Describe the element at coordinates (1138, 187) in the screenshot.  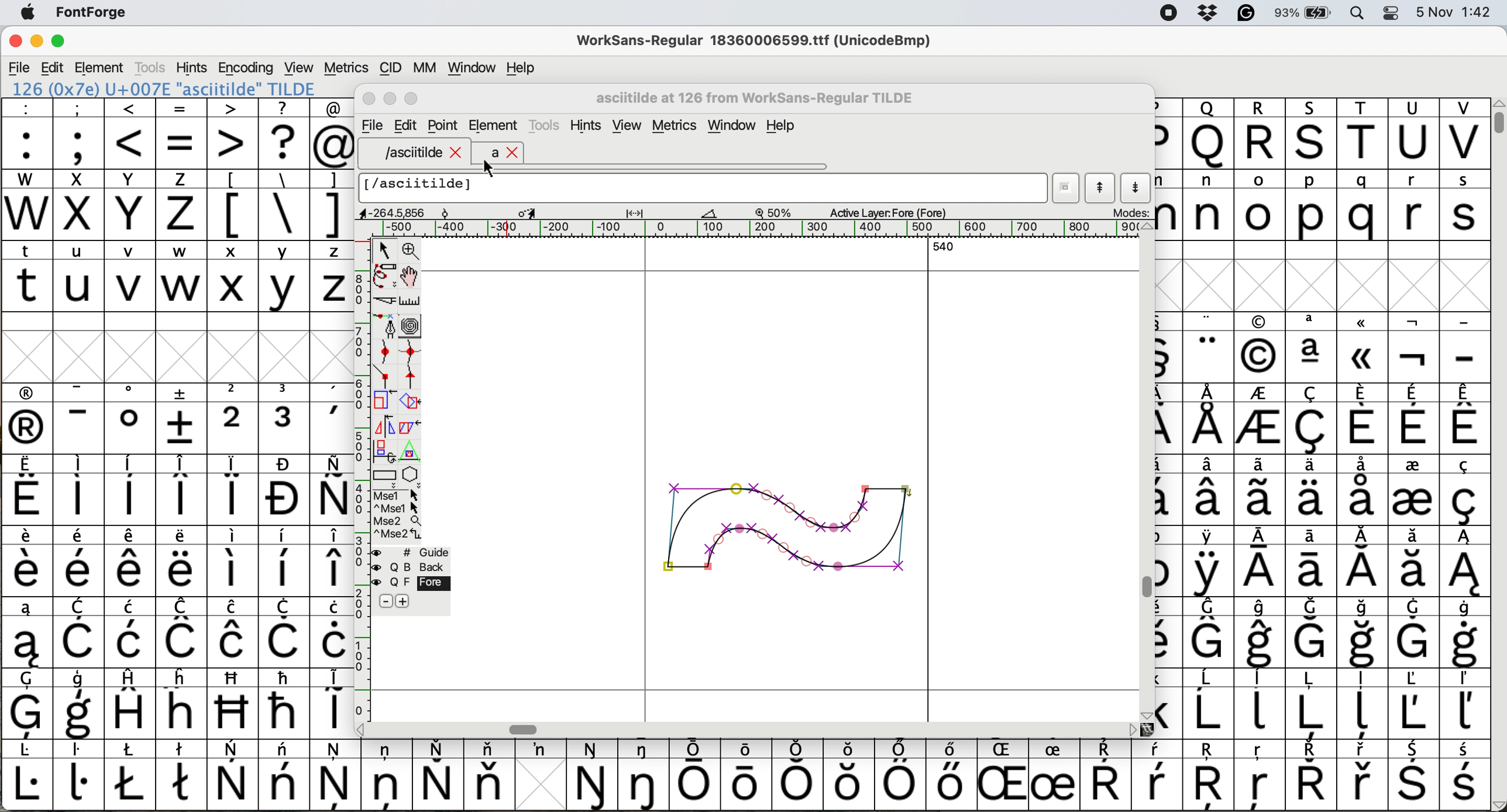
I see `show next letter` at that location.